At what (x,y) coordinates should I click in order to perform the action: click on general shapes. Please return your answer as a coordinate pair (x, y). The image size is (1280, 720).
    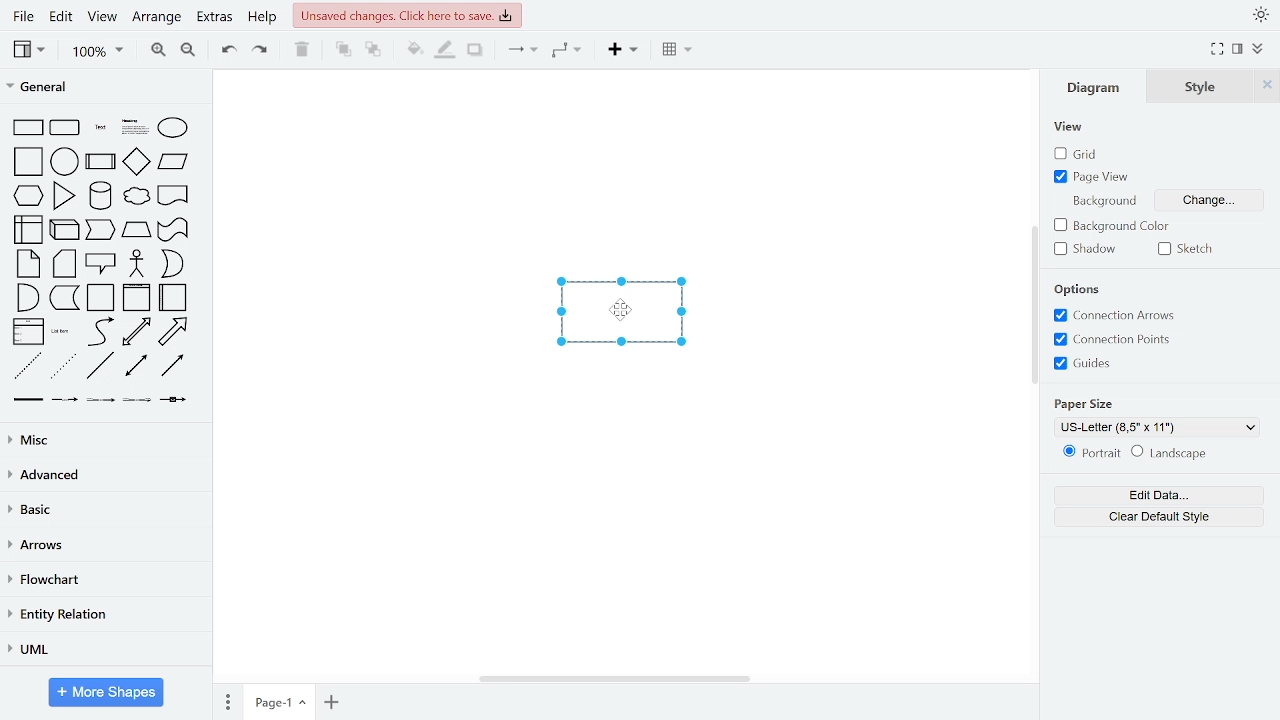
    Looking at the image, I should click on (64, 230).